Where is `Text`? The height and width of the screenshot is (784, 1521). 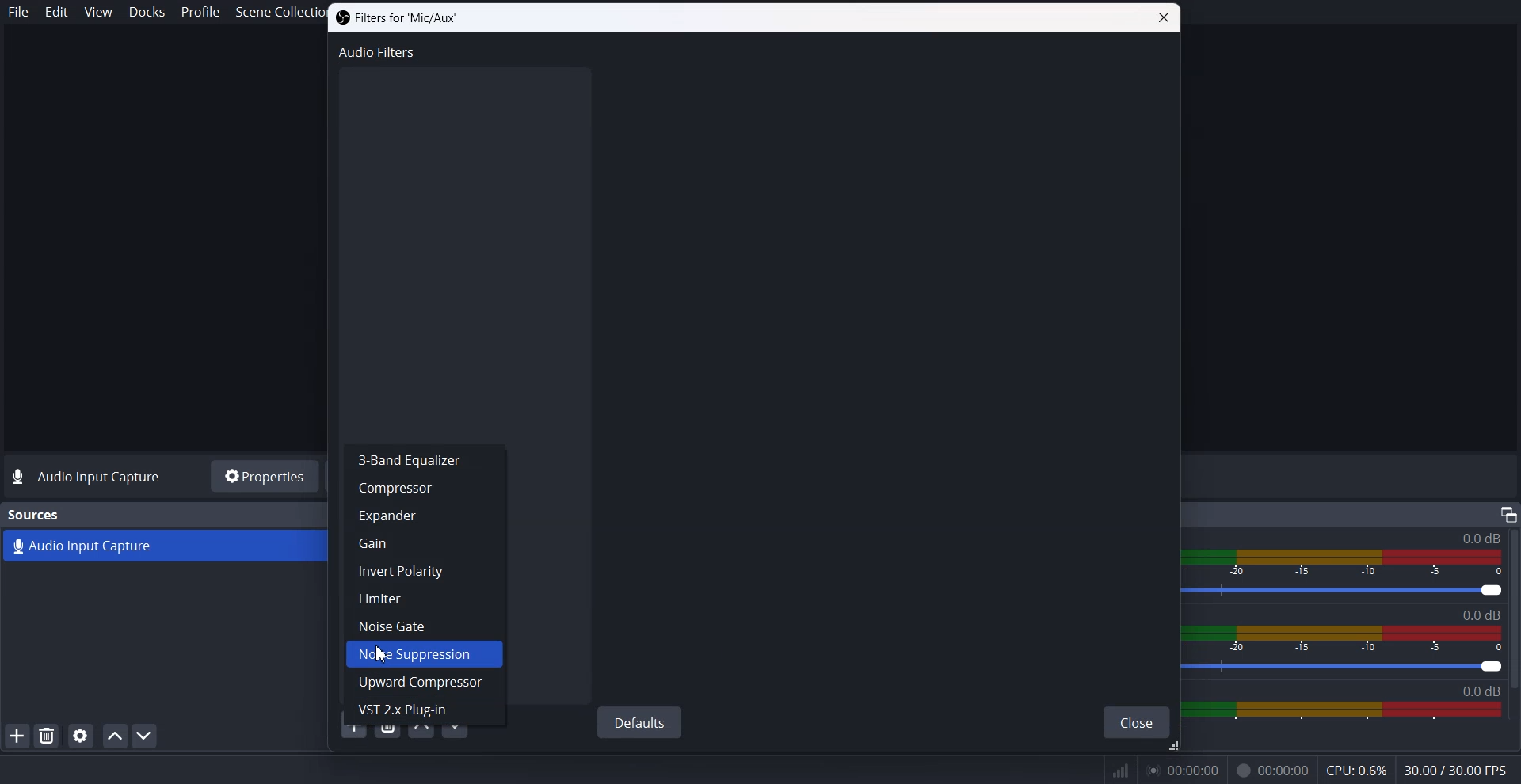 Text is located at coordinates (395, 18).